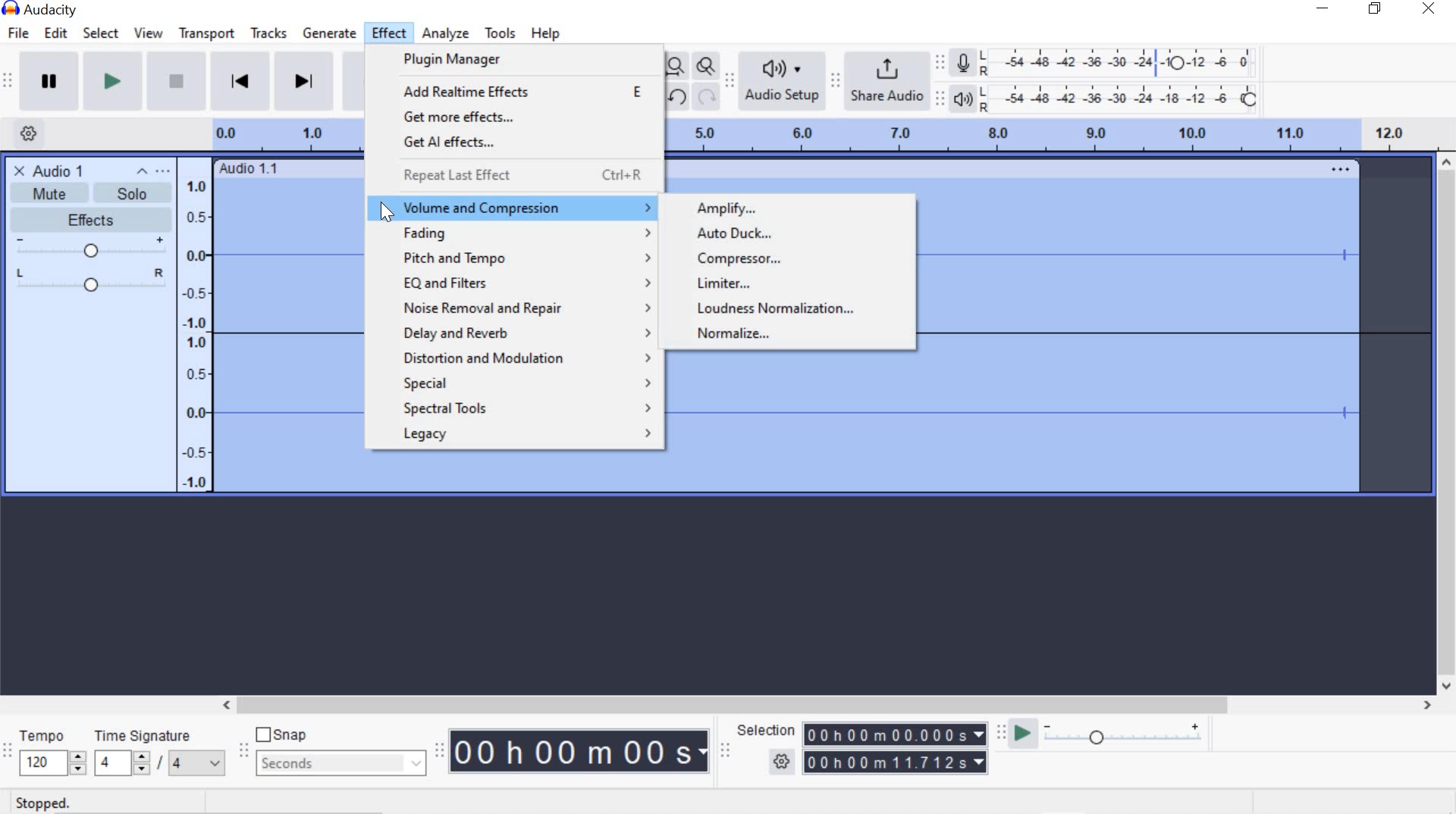 The image size is (1456, 814). What do you see at coordinates (943, 97) in the screenshot?
I see `Playback meter toolbar` at bounding box center [943, 97].